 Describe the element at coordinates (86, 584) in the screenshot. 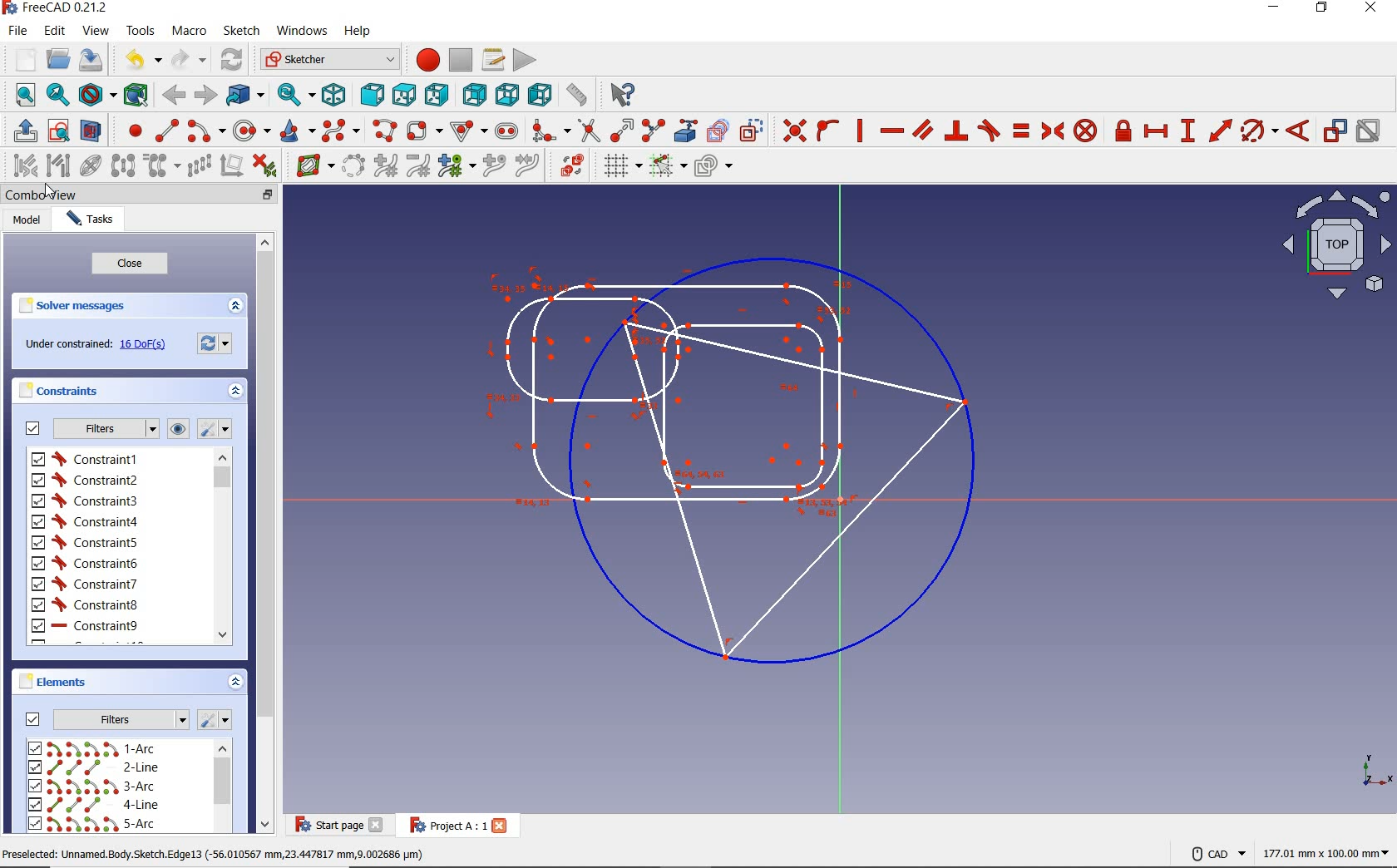

I see `constraint7` at that location.